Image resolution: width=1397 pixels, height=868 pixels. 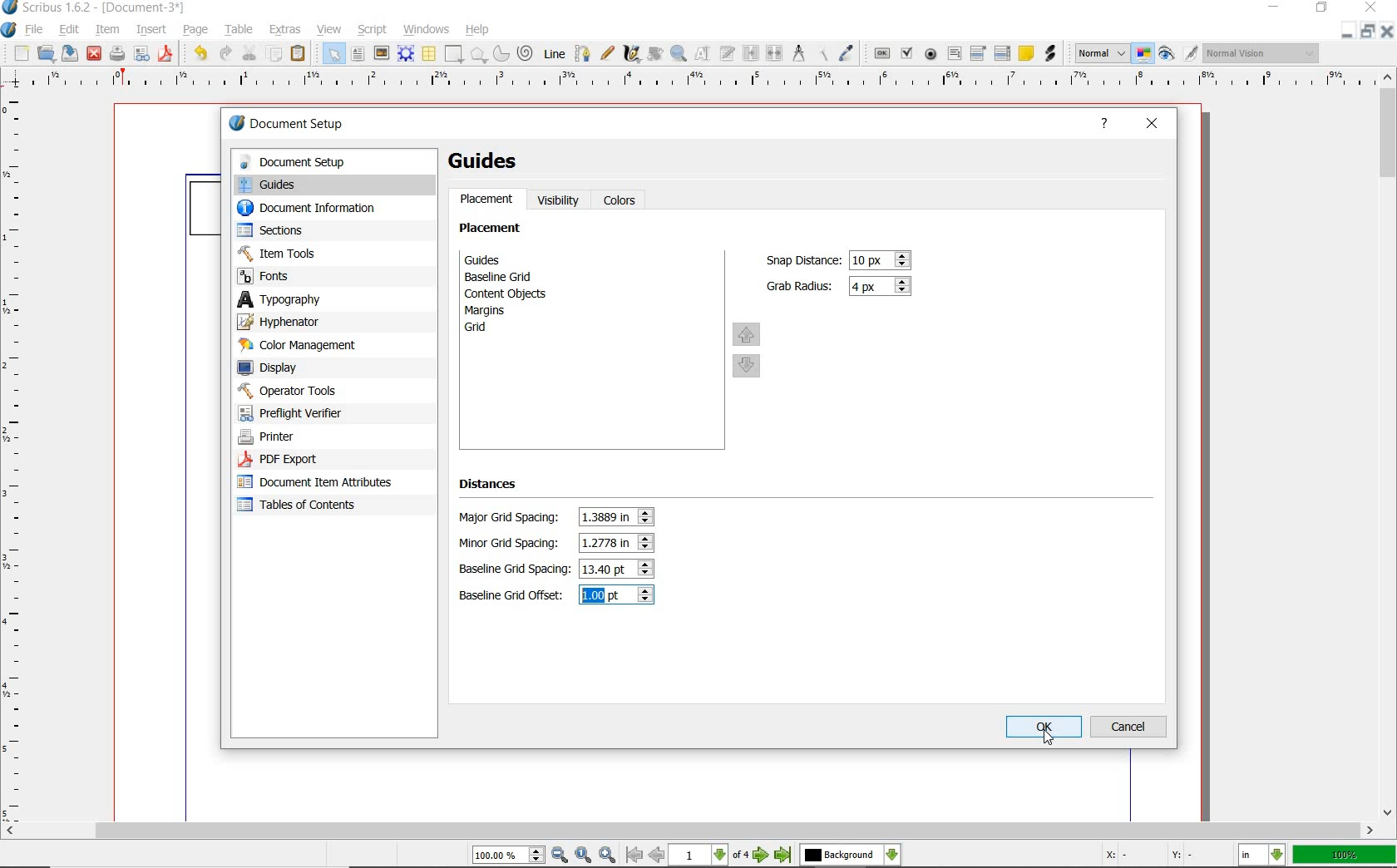 I want to click on move up, so click(x=747, y=333).